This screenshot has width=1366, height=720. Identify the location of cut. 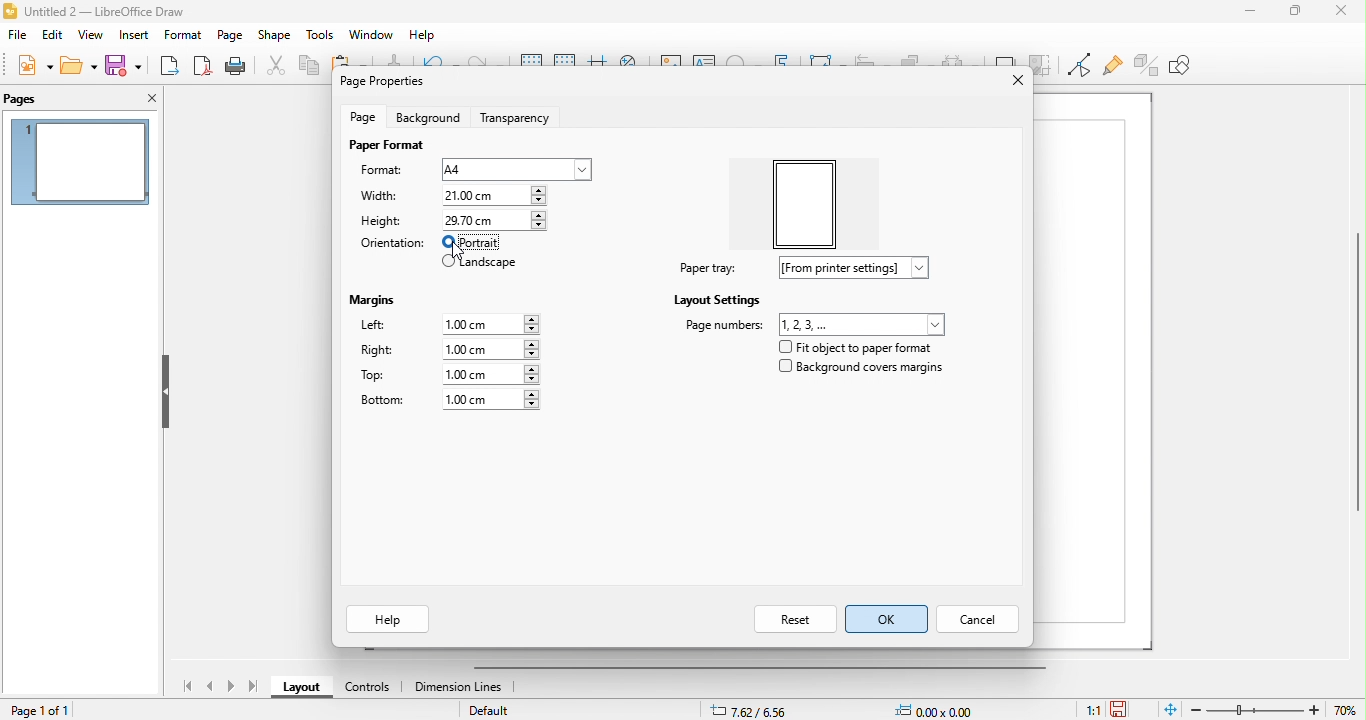
(277, 68).